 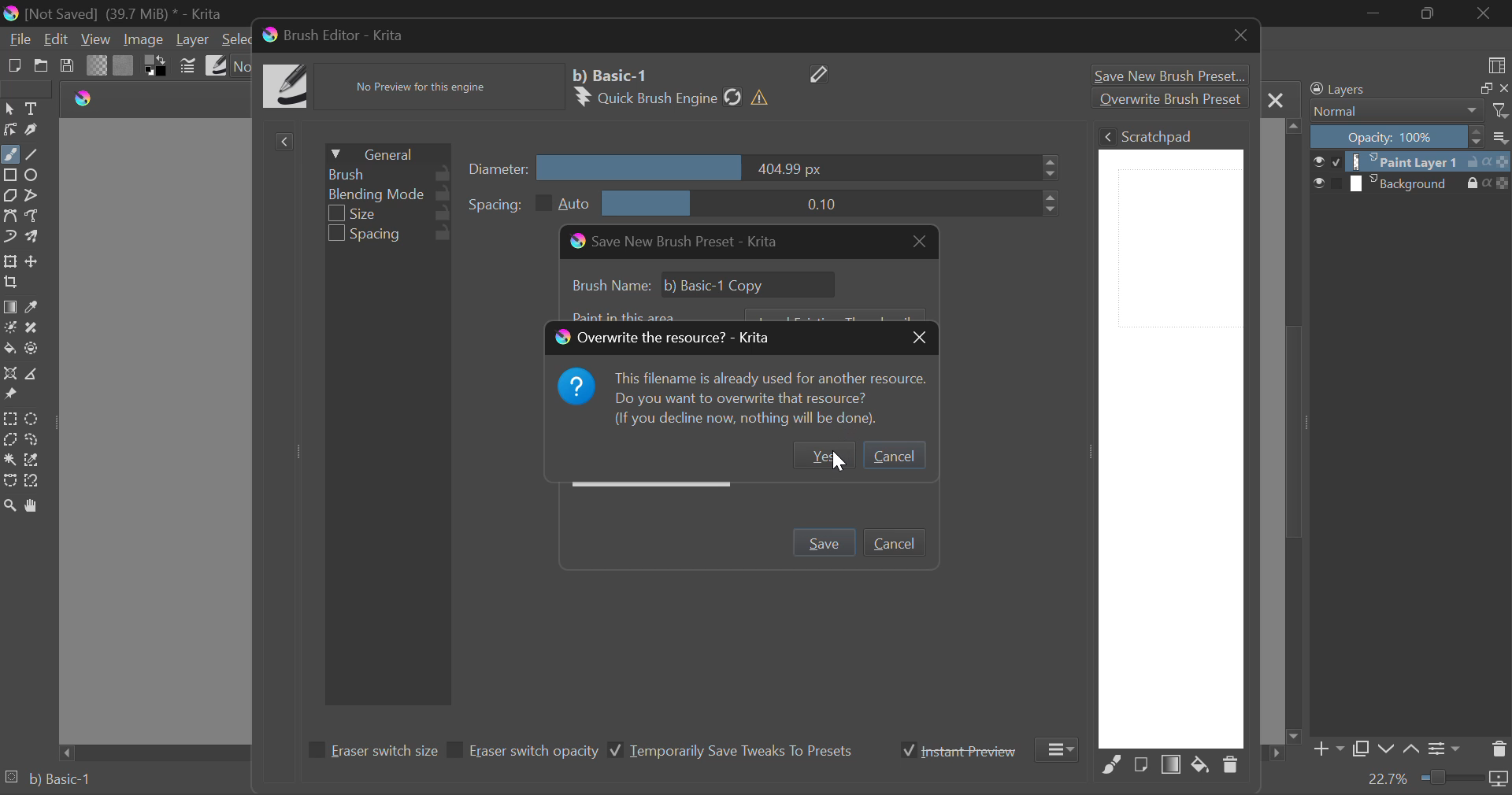 What do you see at coordinates (1140, 765) in the screenshot?
I see `Fill area with current Image` at bounding box center [1140, 765].